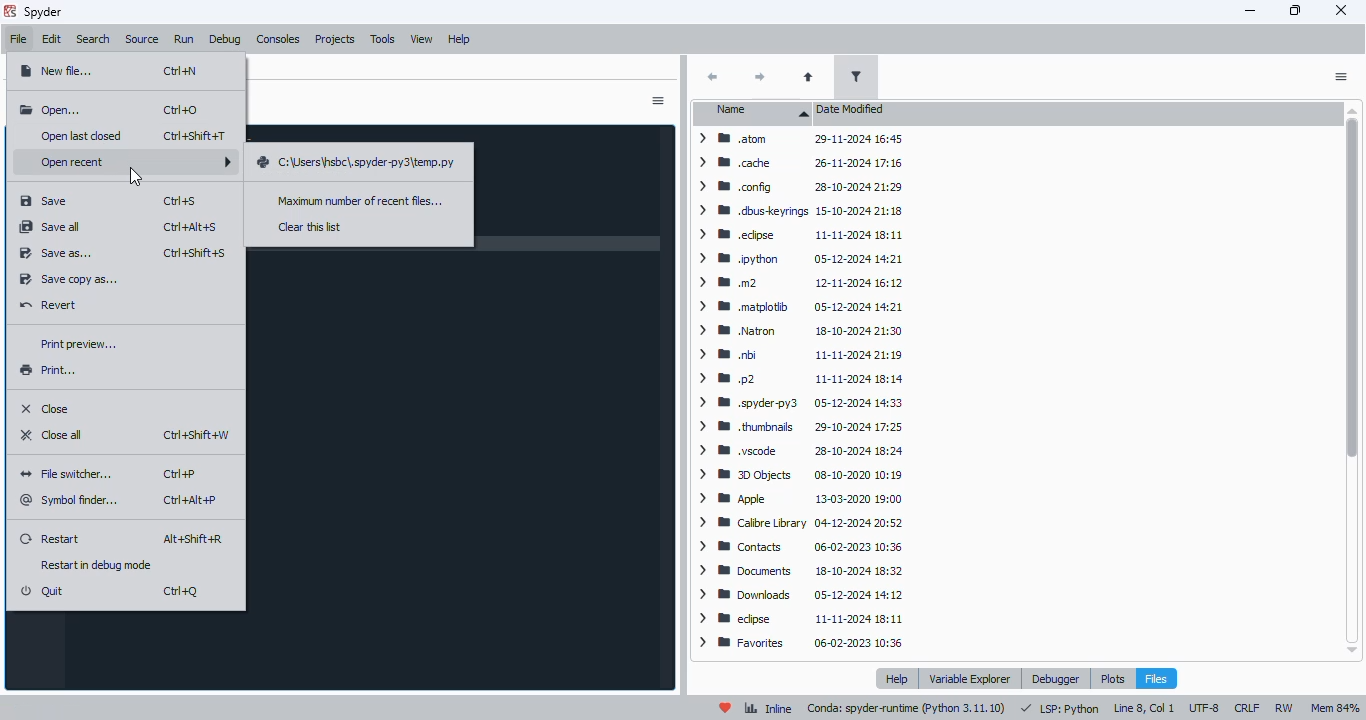 Image resolution: width=1366 pixels, height=720 pixels. What do you see at coordinates (43, 592) in the screenshot?
I see `quit` at bounding box center [43, 592].